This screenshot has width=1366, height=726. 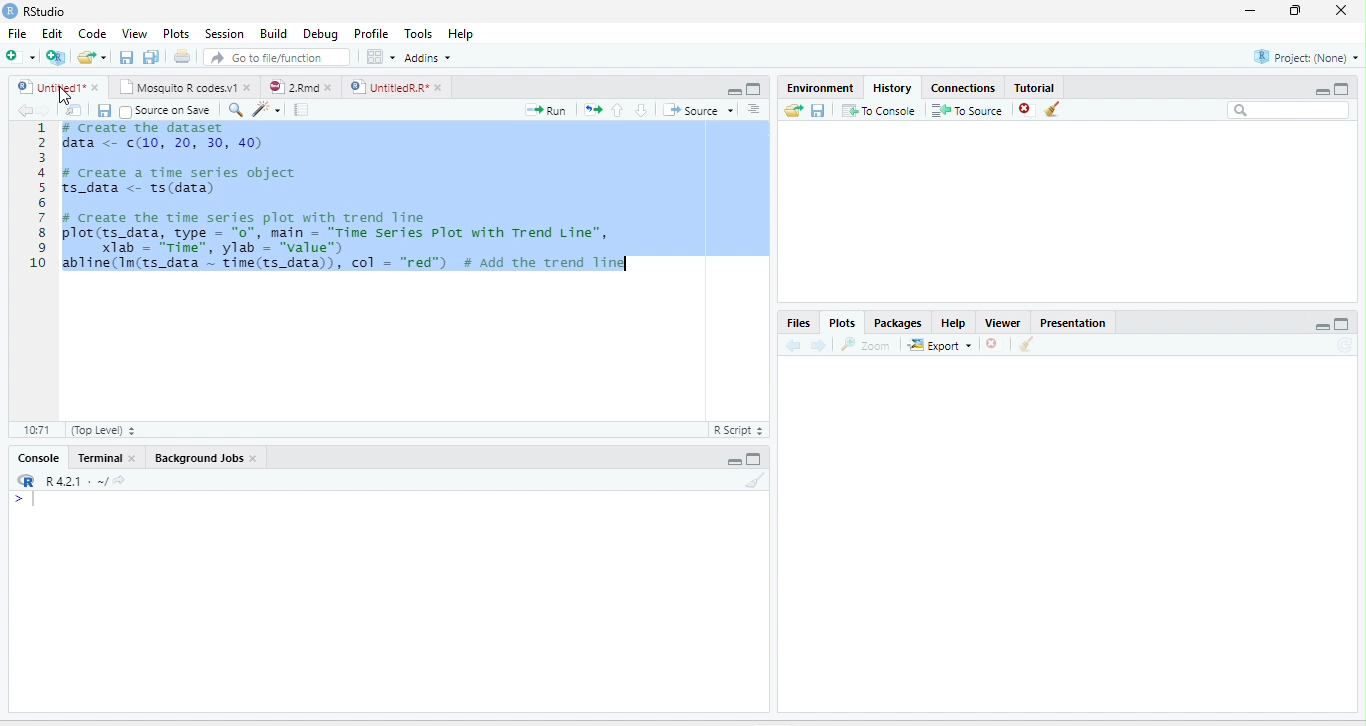 I want to click on Workspace panes, so click(x=379, y=56).